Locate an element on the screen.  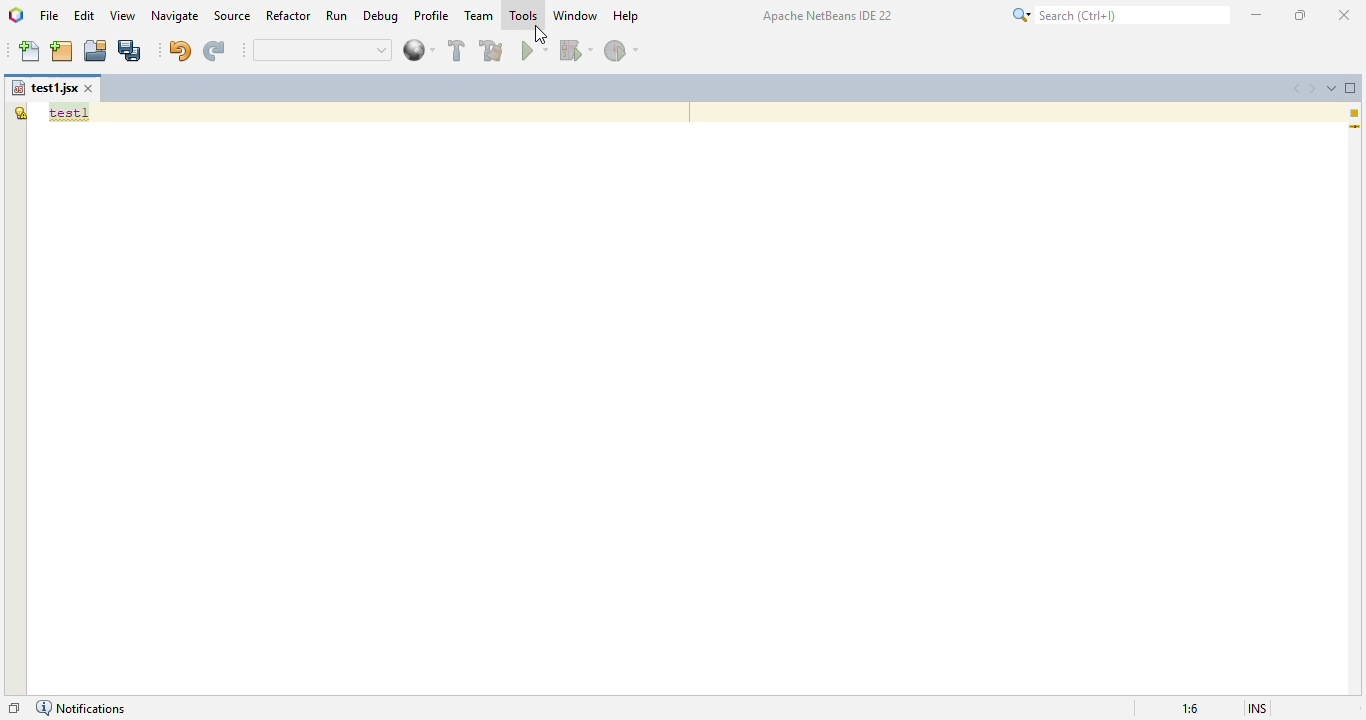
run project is located at coordinates (534, 51).